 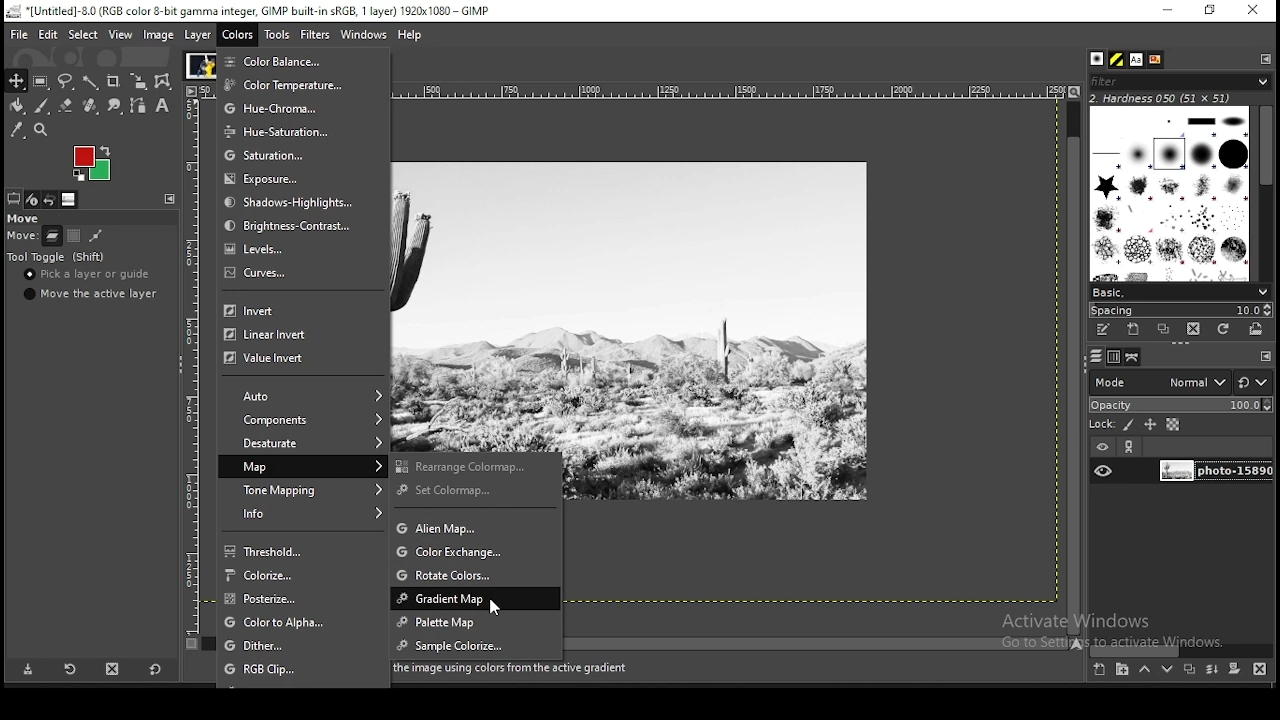 I want to click on create a new brush, so click(x=1136, y=330).